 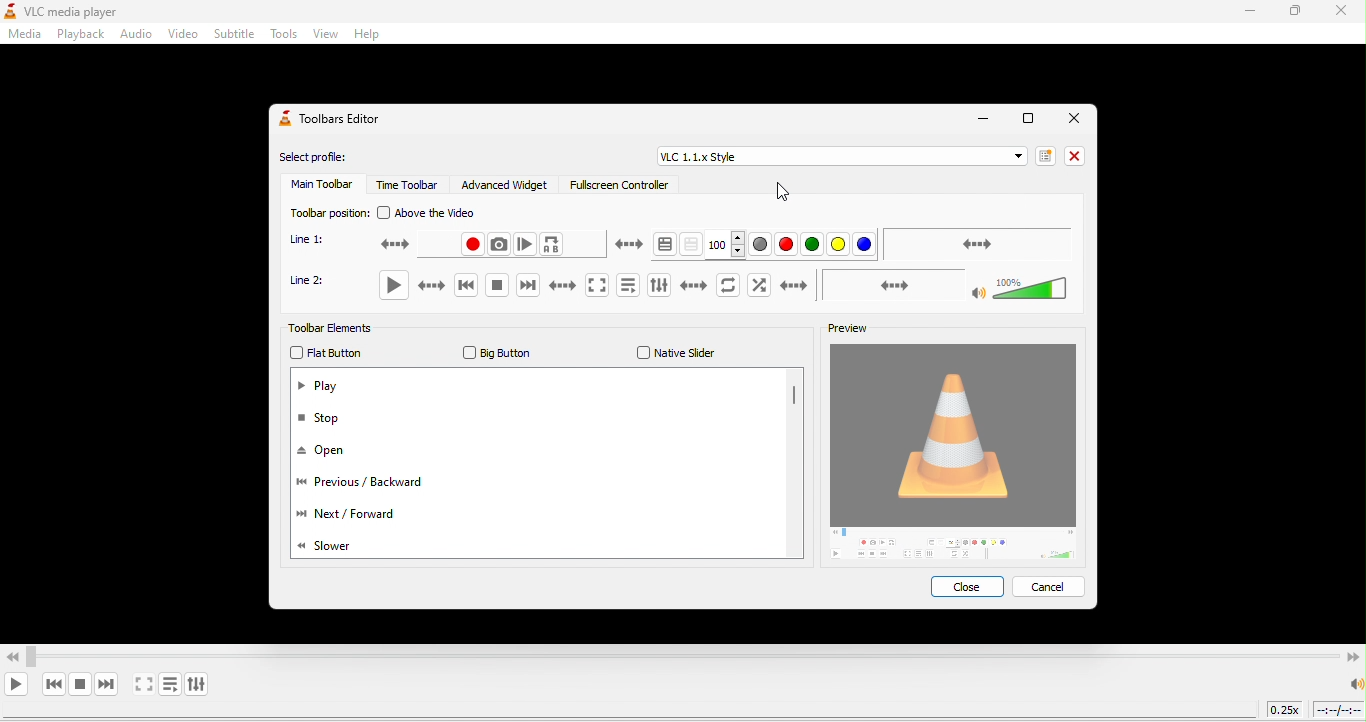 What do you see at coordinates (1344, 13) in the screenshot?
I see `close` at bounding box center [1344, 13].